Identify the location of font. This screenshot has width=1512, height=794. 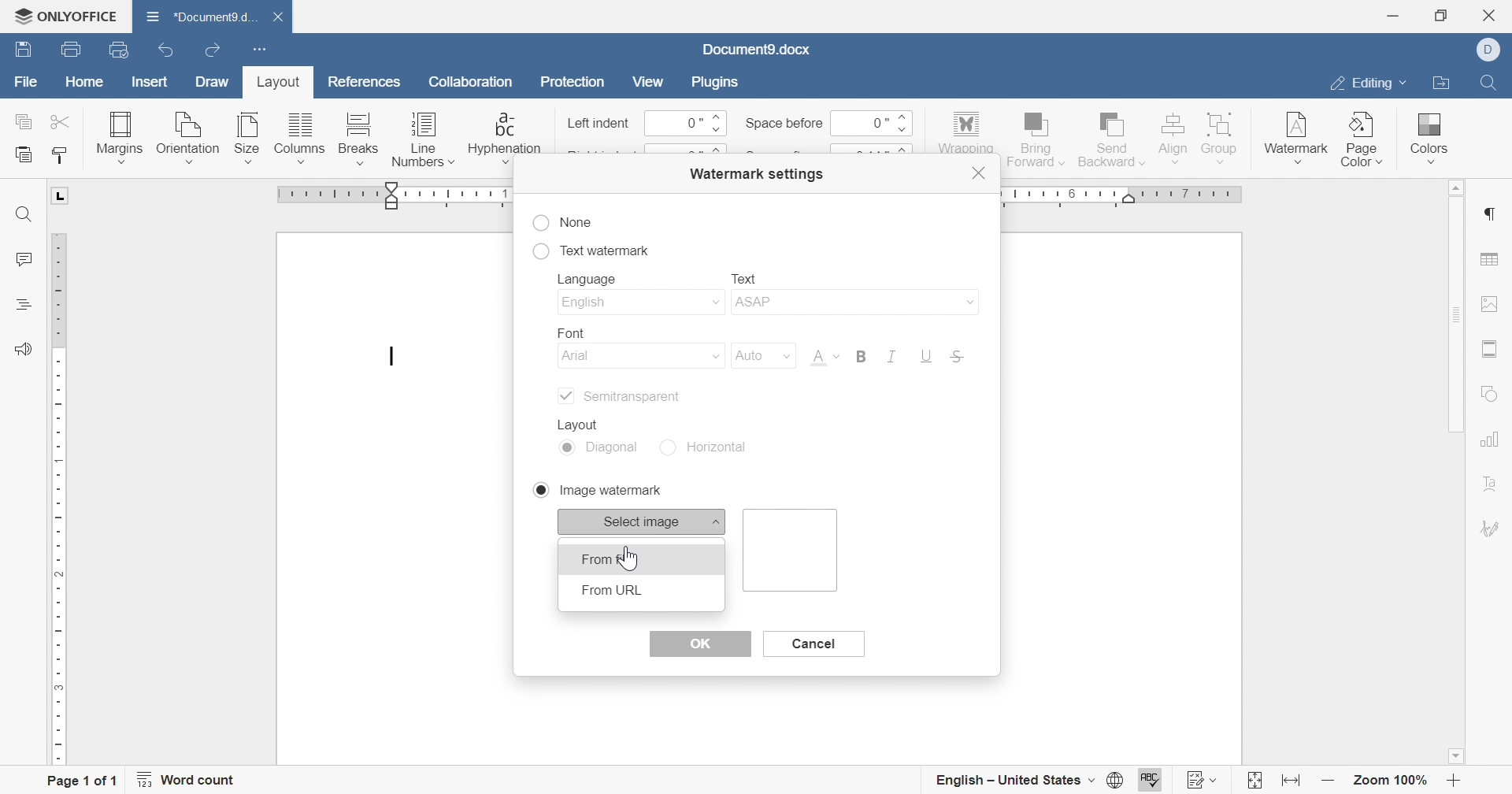
(565, 330).